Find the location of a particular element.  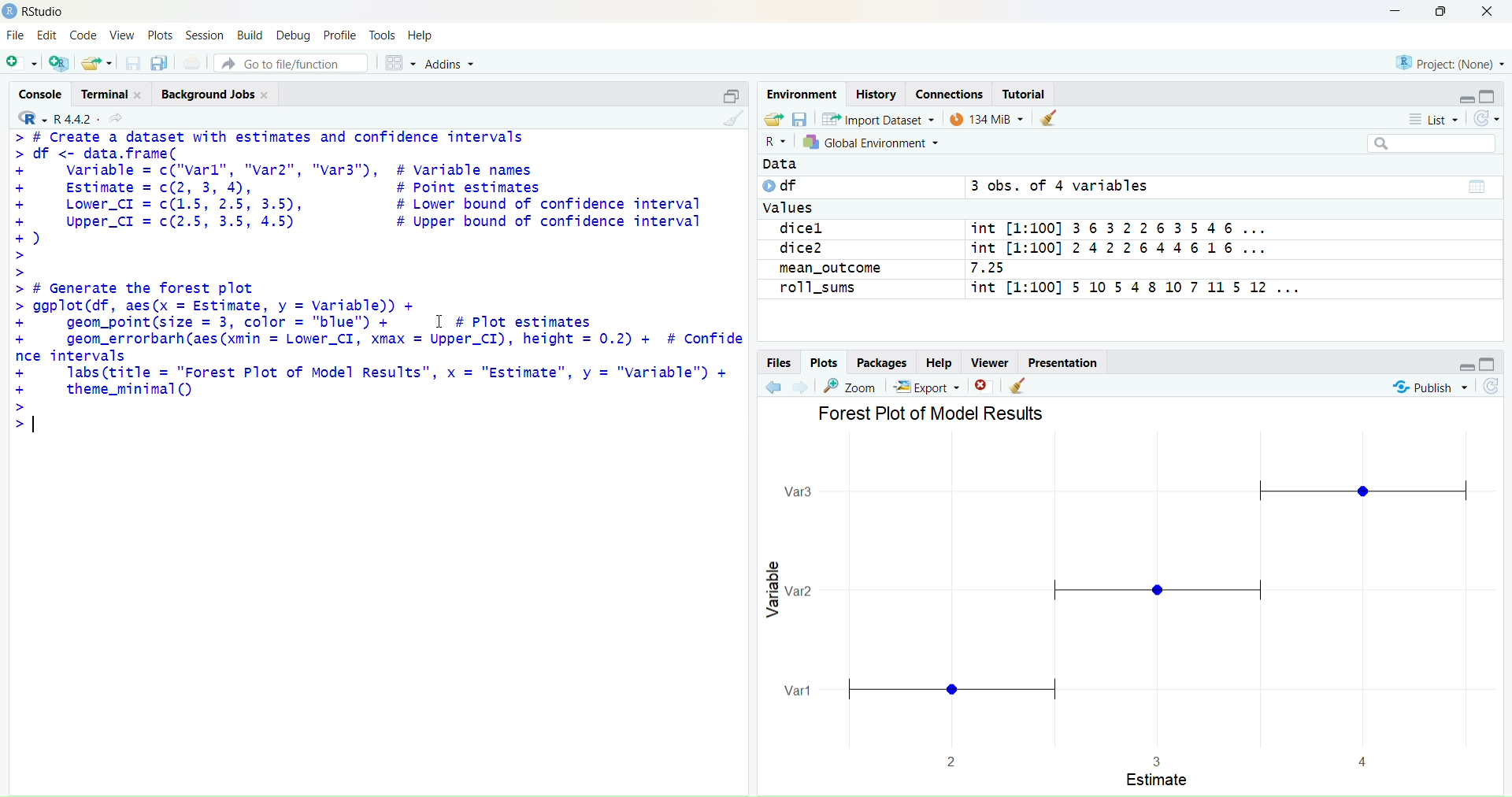

Presentation is located at coordinates (1062, 363).